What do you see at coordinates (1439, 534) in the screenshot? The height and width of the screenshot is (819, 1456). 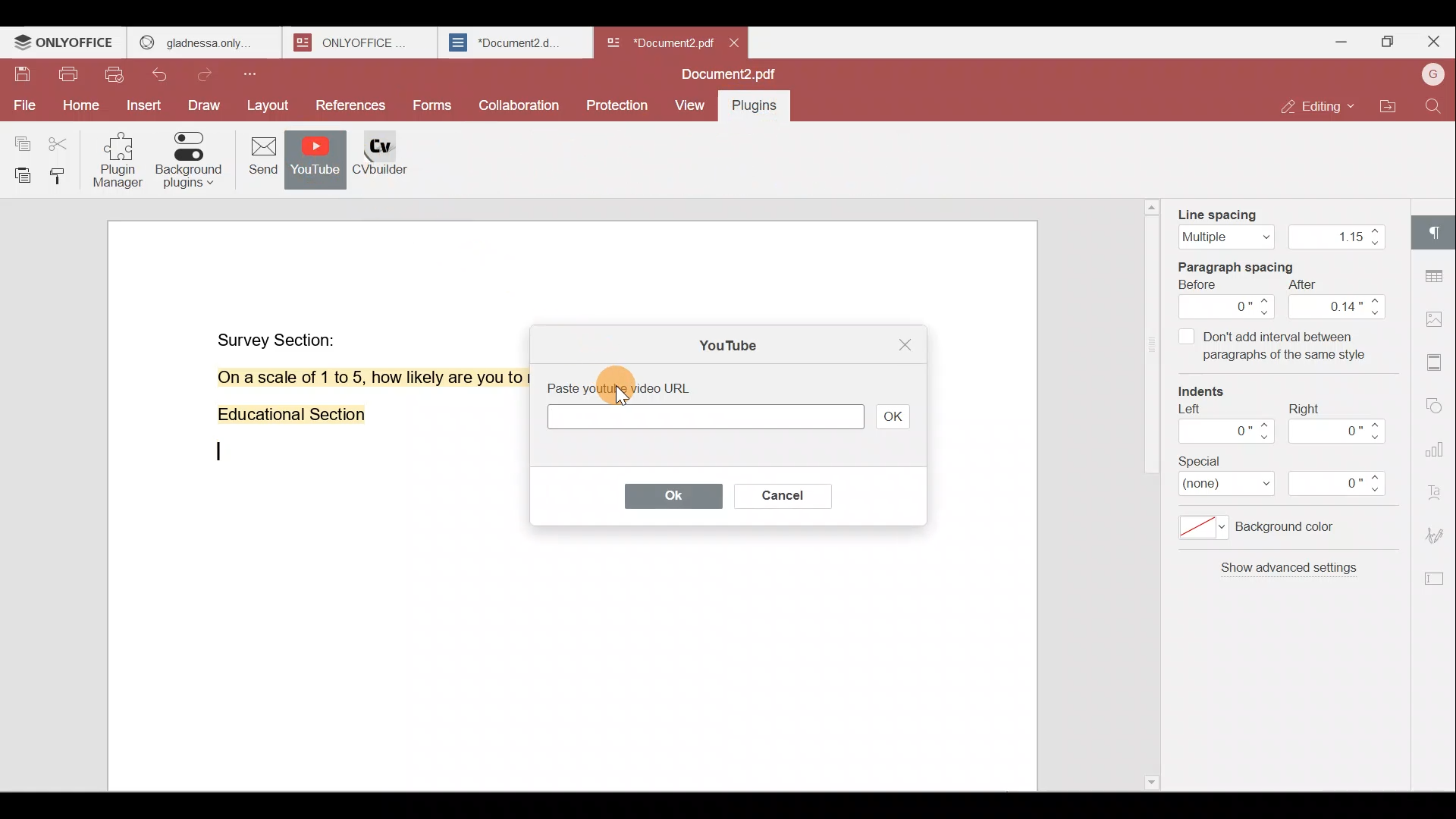 I see `Signature settings` at bounding box center [1439, 534].